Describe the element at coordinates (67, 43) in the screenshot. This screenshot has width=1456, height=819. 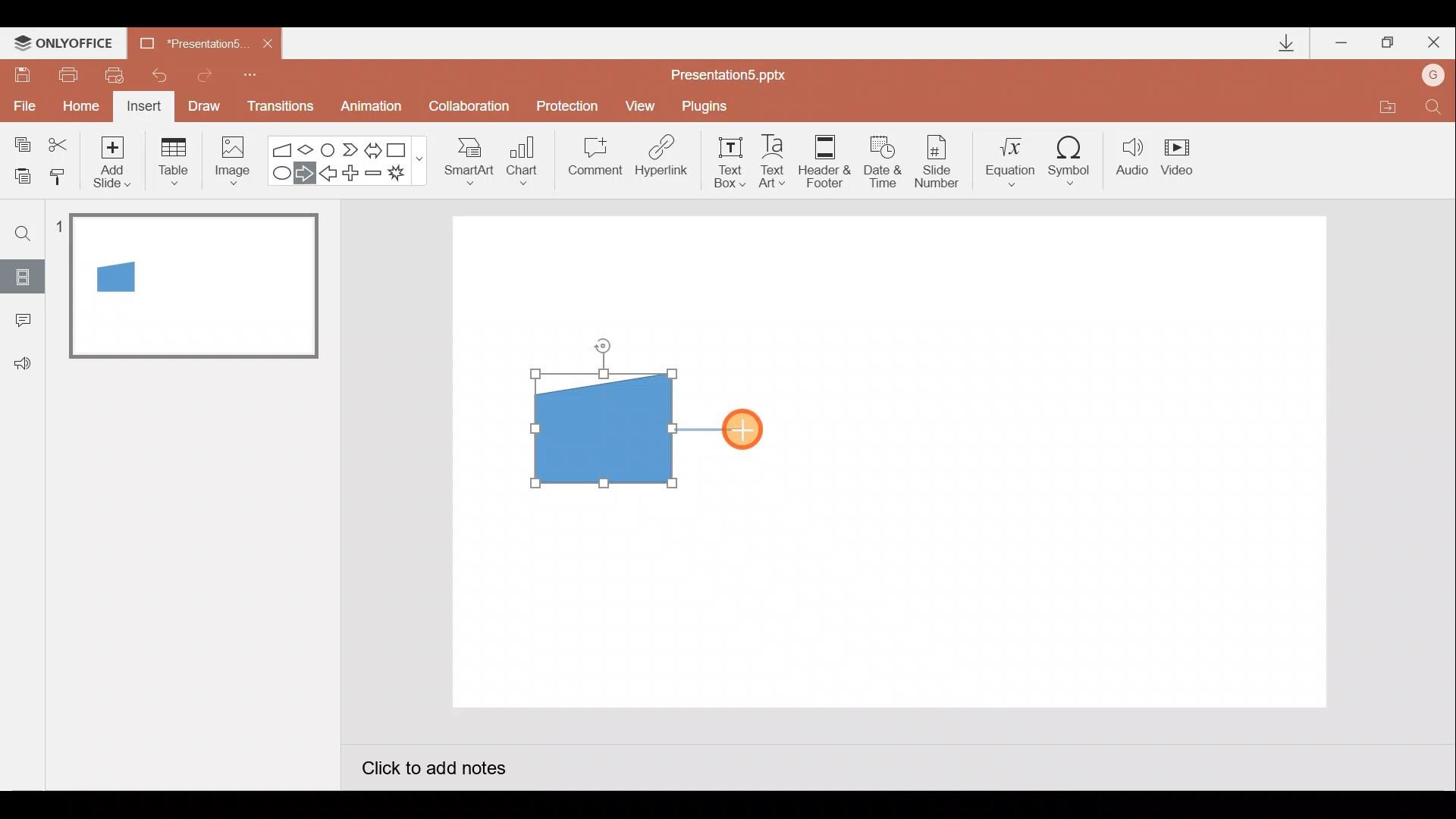
I see `ONLYOFFICE` at that location.